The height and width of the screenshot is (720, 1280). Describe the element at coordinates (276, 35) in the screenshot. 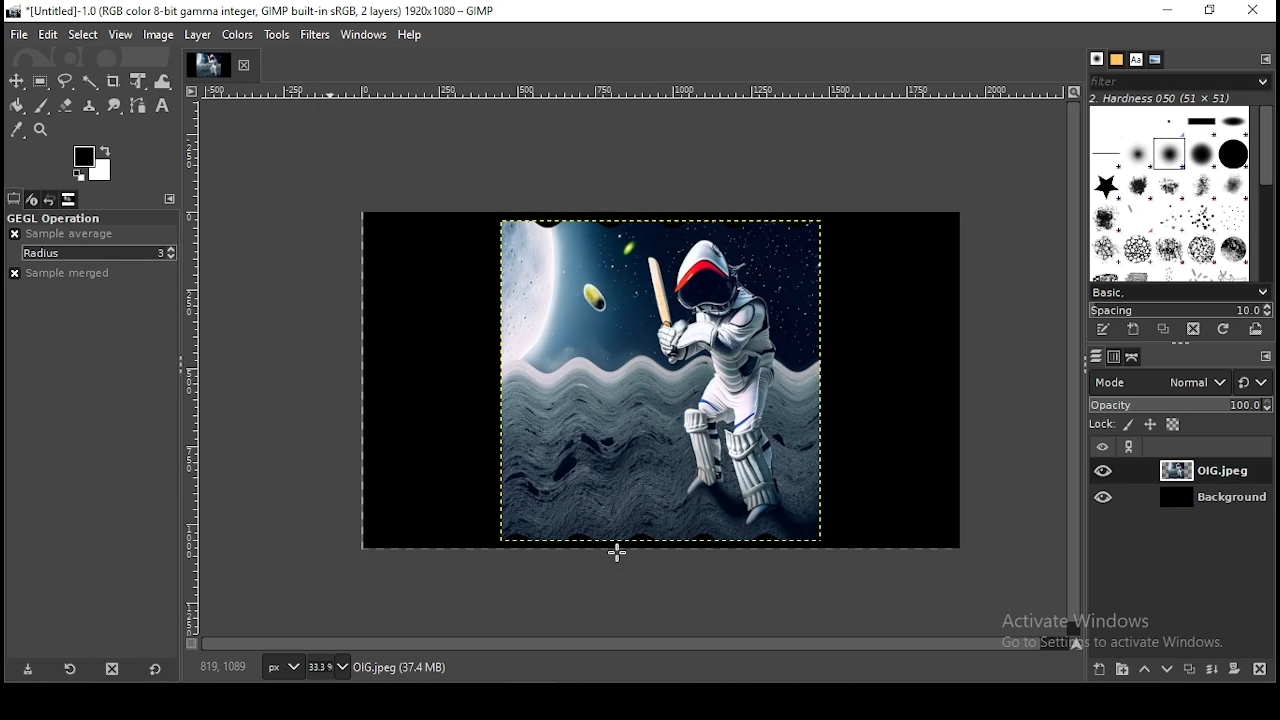

I see `tools` at that location.